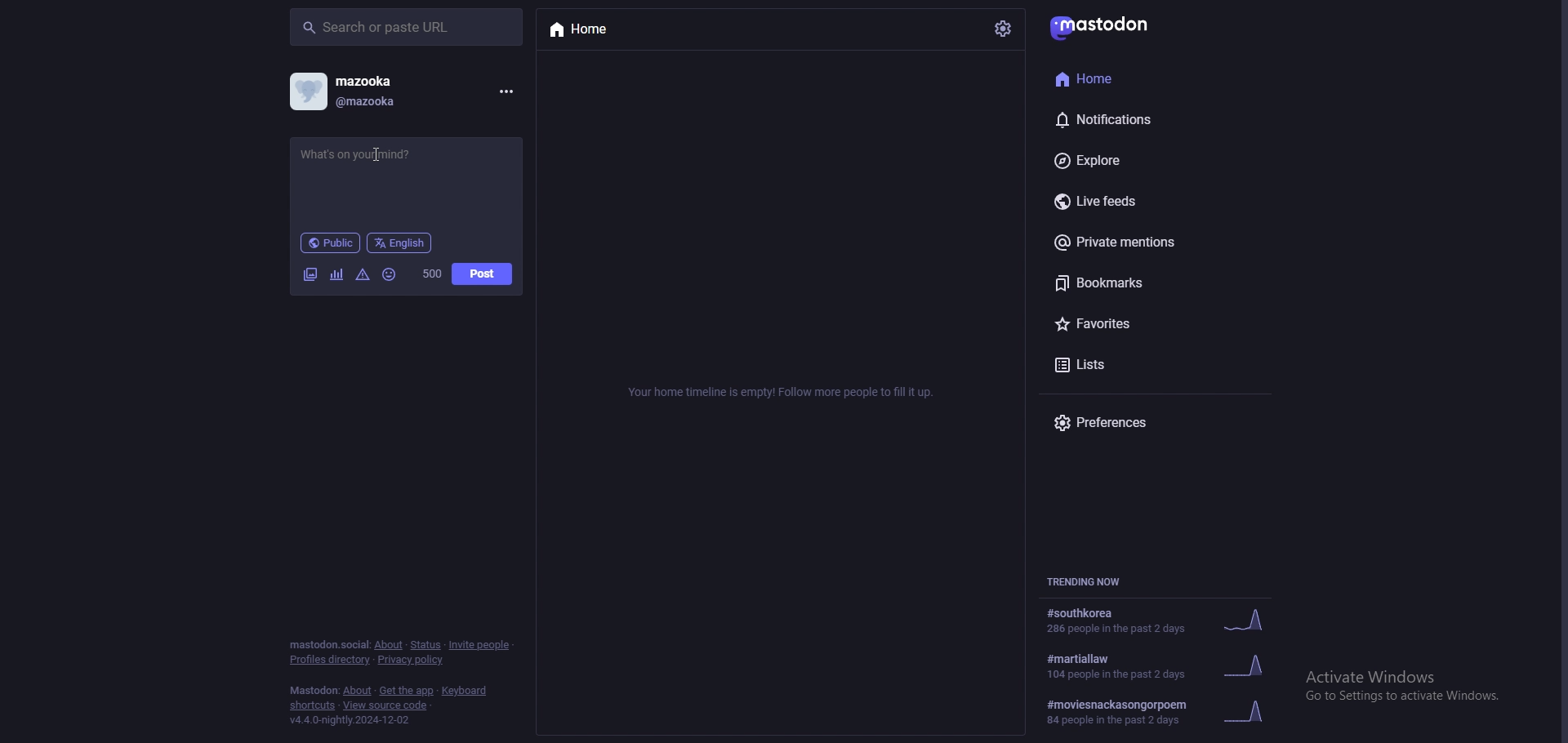  I want to click on emojis, so click(390, 275).